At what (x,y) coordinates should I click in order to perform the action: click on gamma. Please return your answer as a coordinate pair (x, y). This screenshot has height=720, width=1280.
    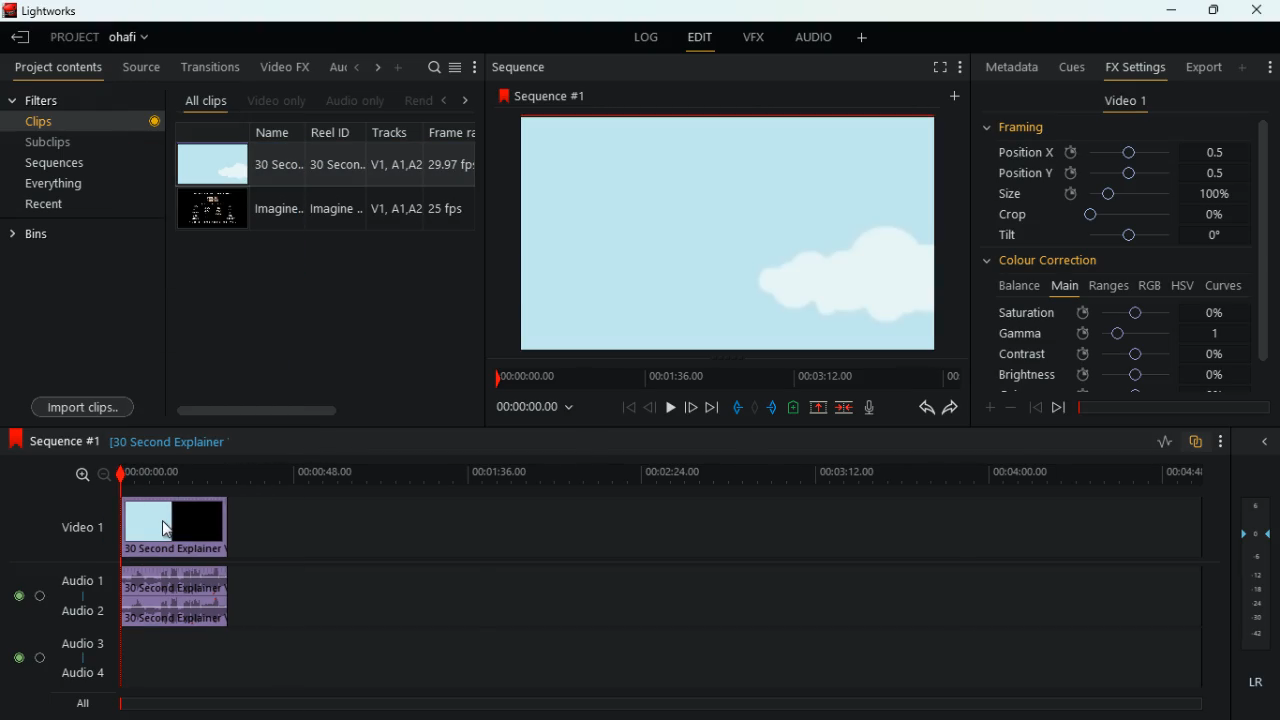
    Looking at the image, I should click on (1118, 332).